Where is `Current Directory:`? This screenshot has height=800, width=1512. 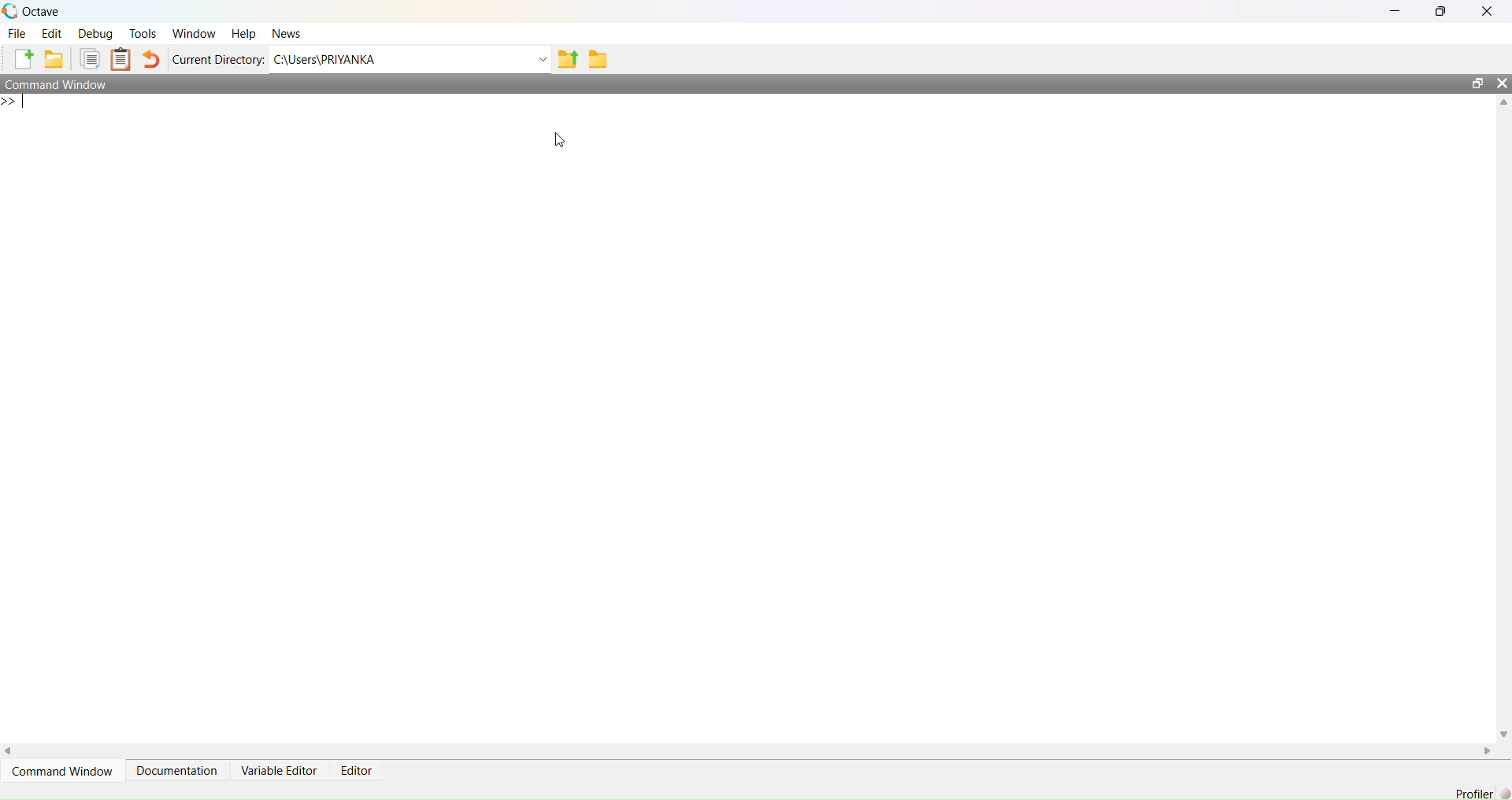
Current Directory: is located at coordinates (218, 59).